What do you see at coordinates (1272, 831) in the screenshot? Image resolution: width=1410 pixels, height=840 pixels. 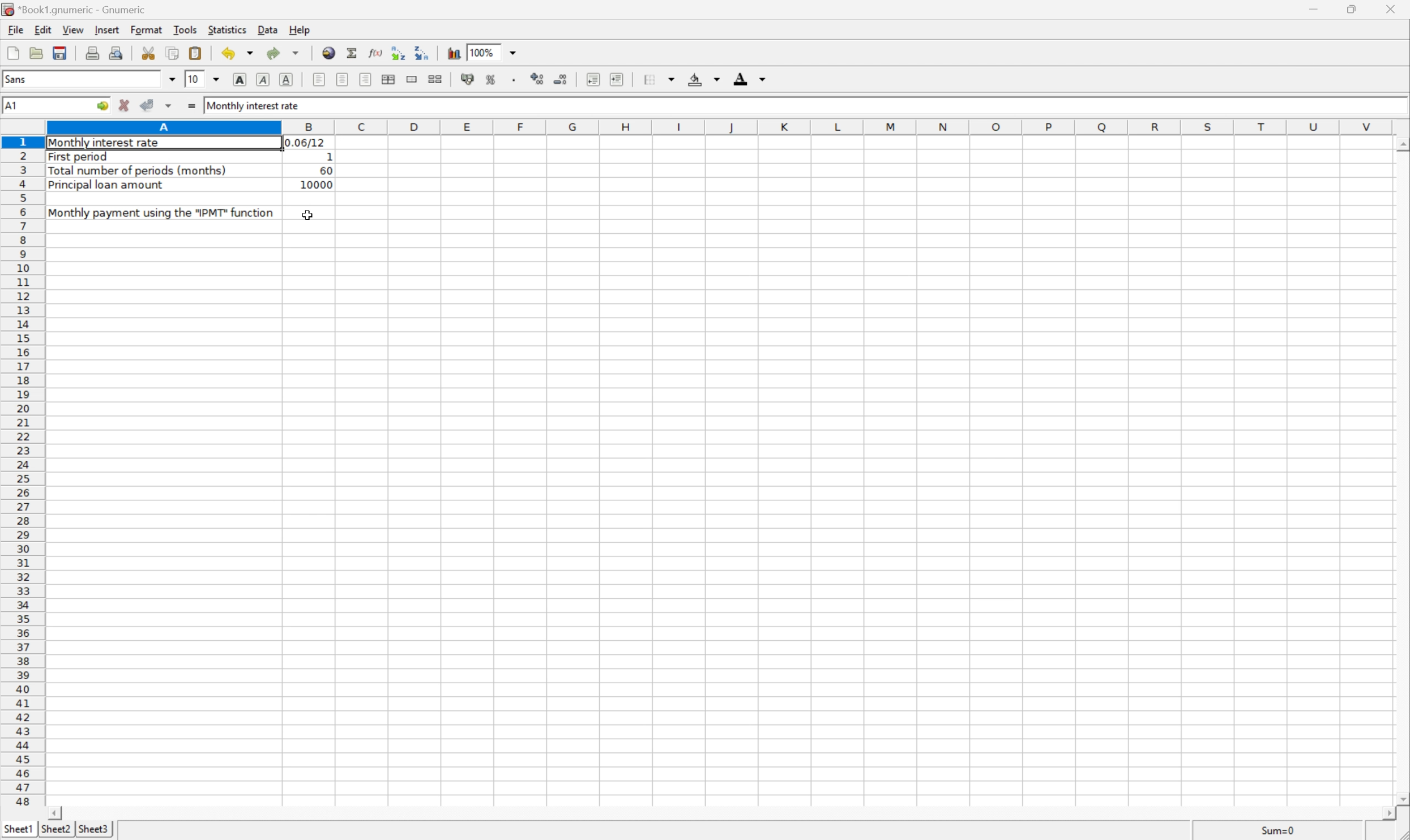 I see `Sum=0` at bounding box center [1272, 831].